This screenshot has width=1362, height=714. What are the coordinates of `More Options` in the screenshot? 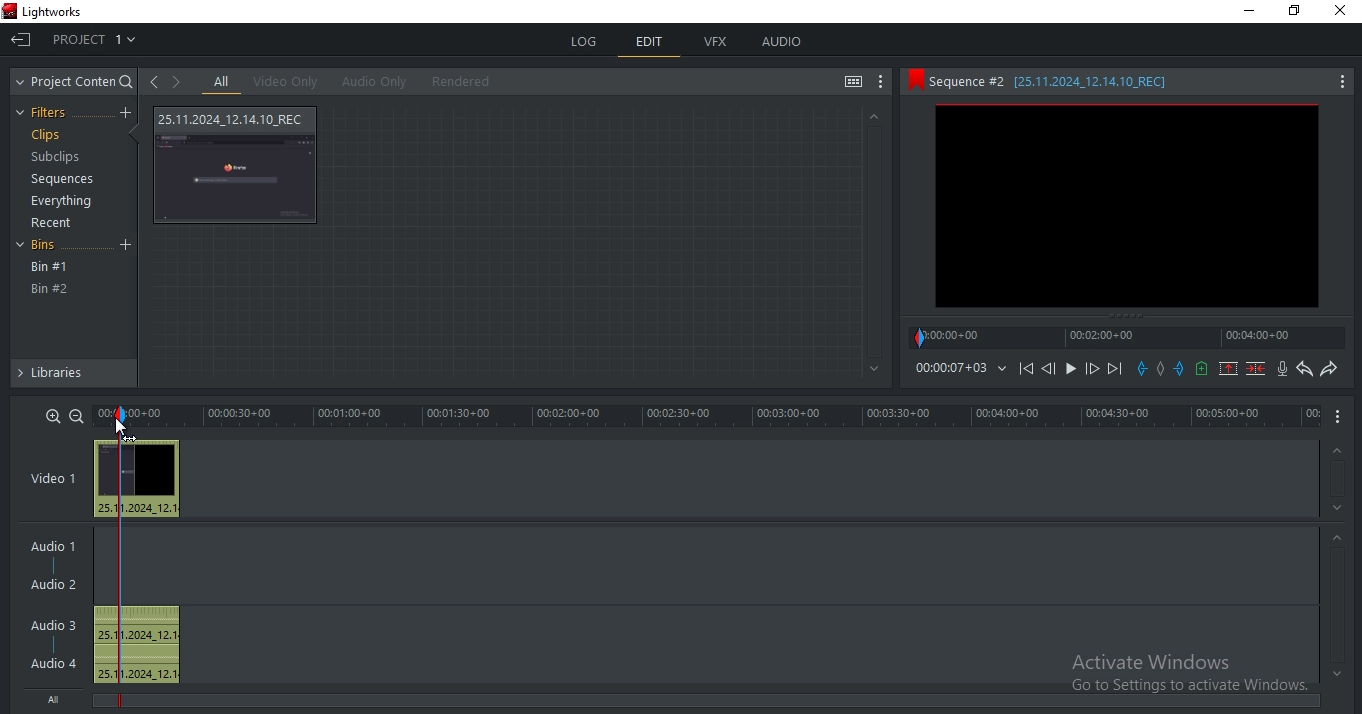 It's located at (1342, 417).